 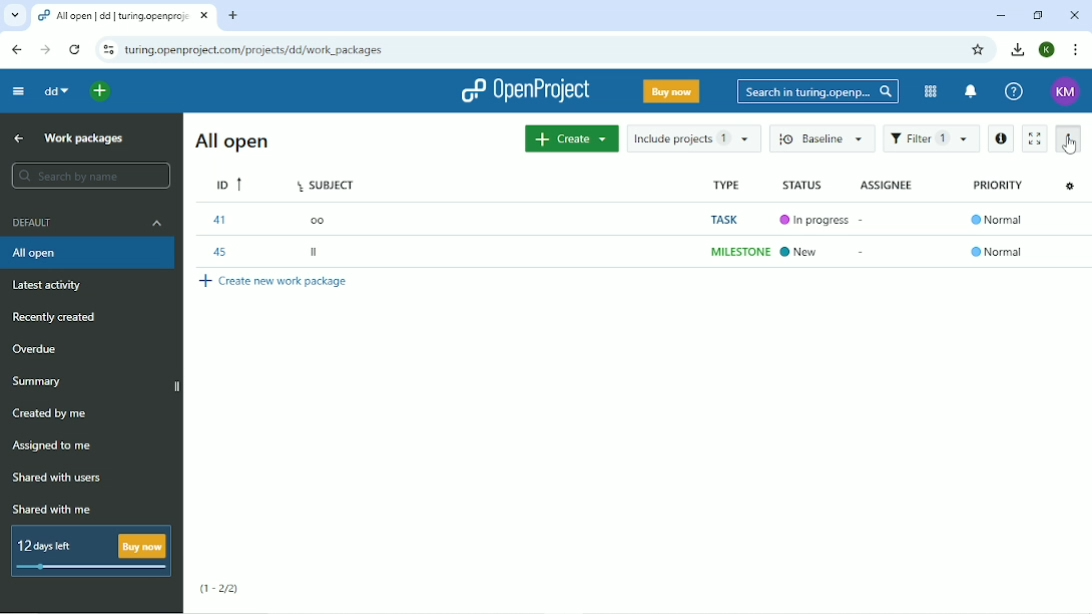 I want to click on More actions, so click(x=1068, y=140).